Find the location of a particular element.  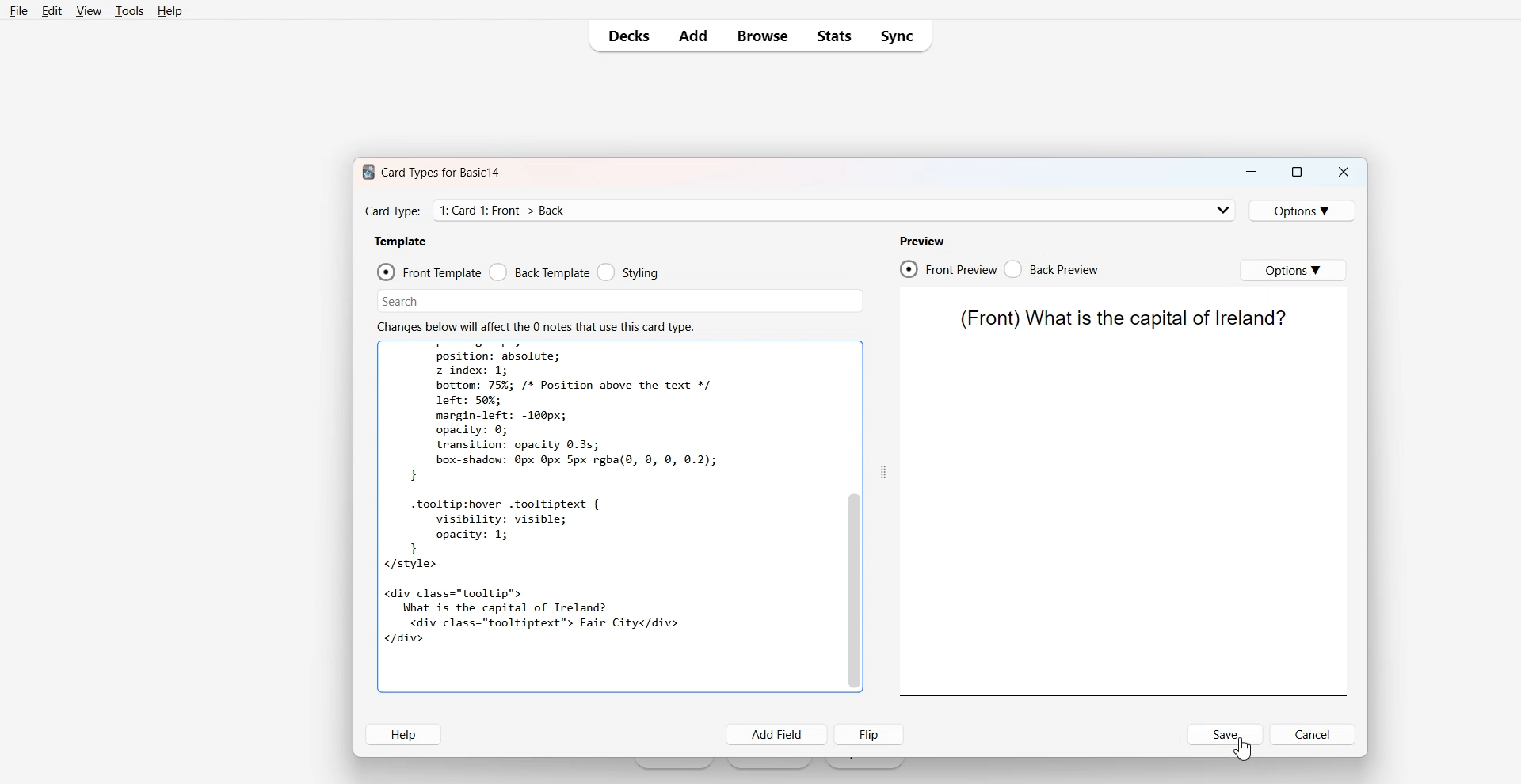

Options is located at coordinates (1302, 211).